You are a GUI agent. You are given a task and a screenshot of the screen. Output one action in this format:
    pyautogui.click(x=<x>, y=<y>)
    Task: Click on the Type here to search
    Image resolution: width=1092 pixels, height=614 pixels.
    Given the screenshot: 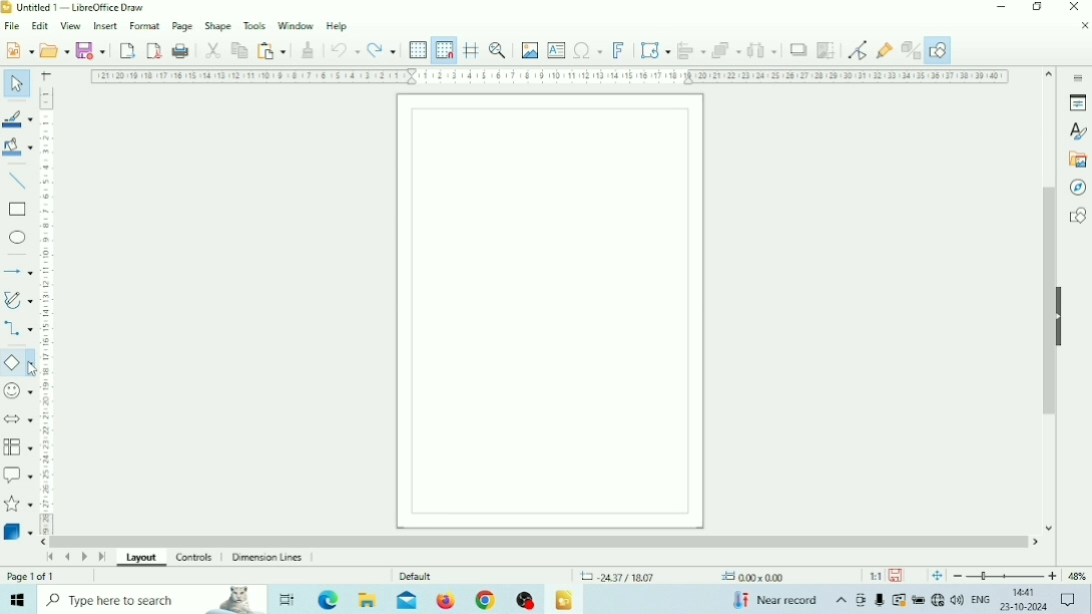 What is the action you would take?
    pyautogui.click(x=152, y=599)
    